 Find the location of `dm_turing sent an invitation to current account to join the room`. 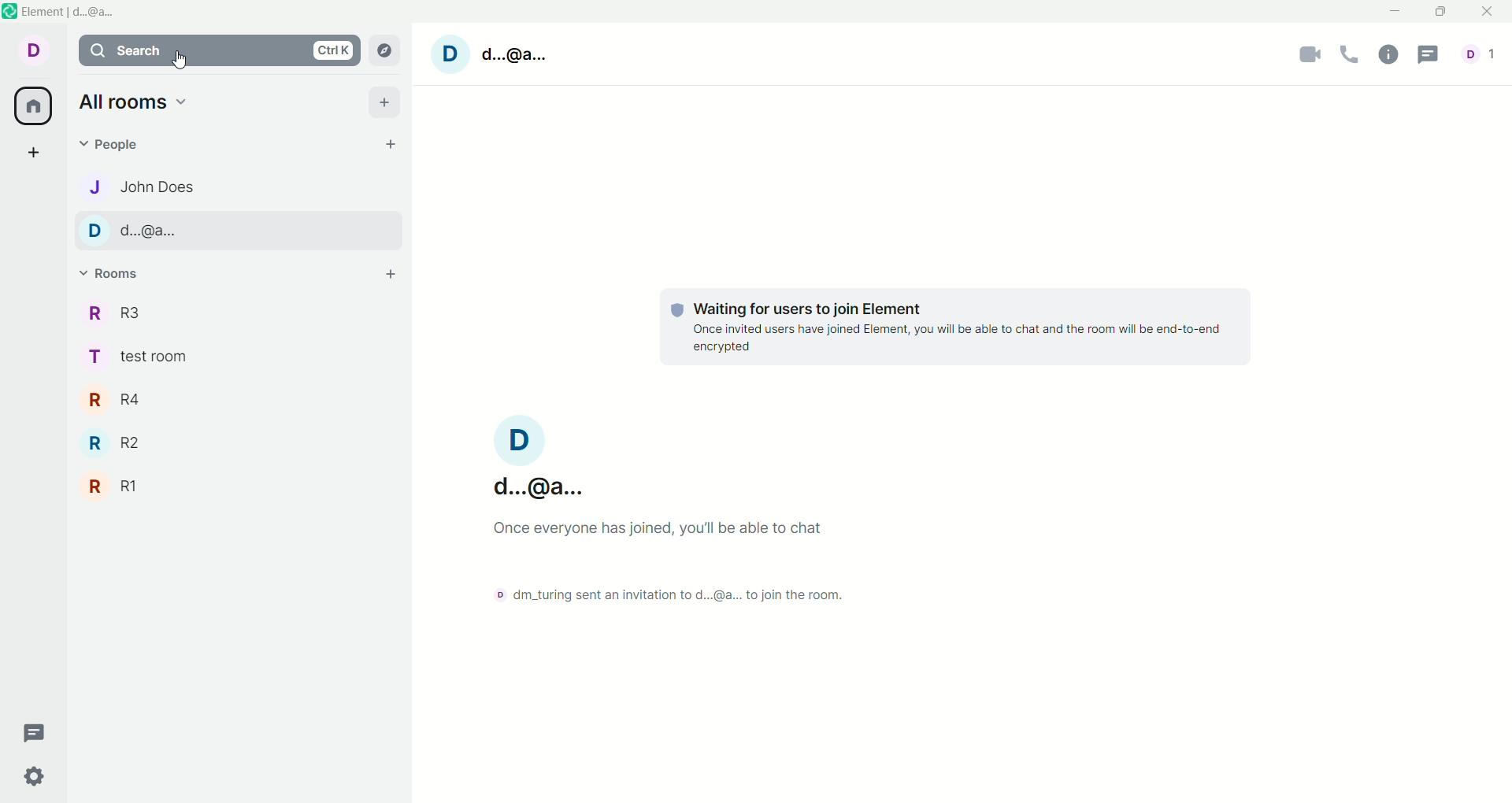

dm_turing sent an invitation to current account to join the room is located at coordinates (662, 596).